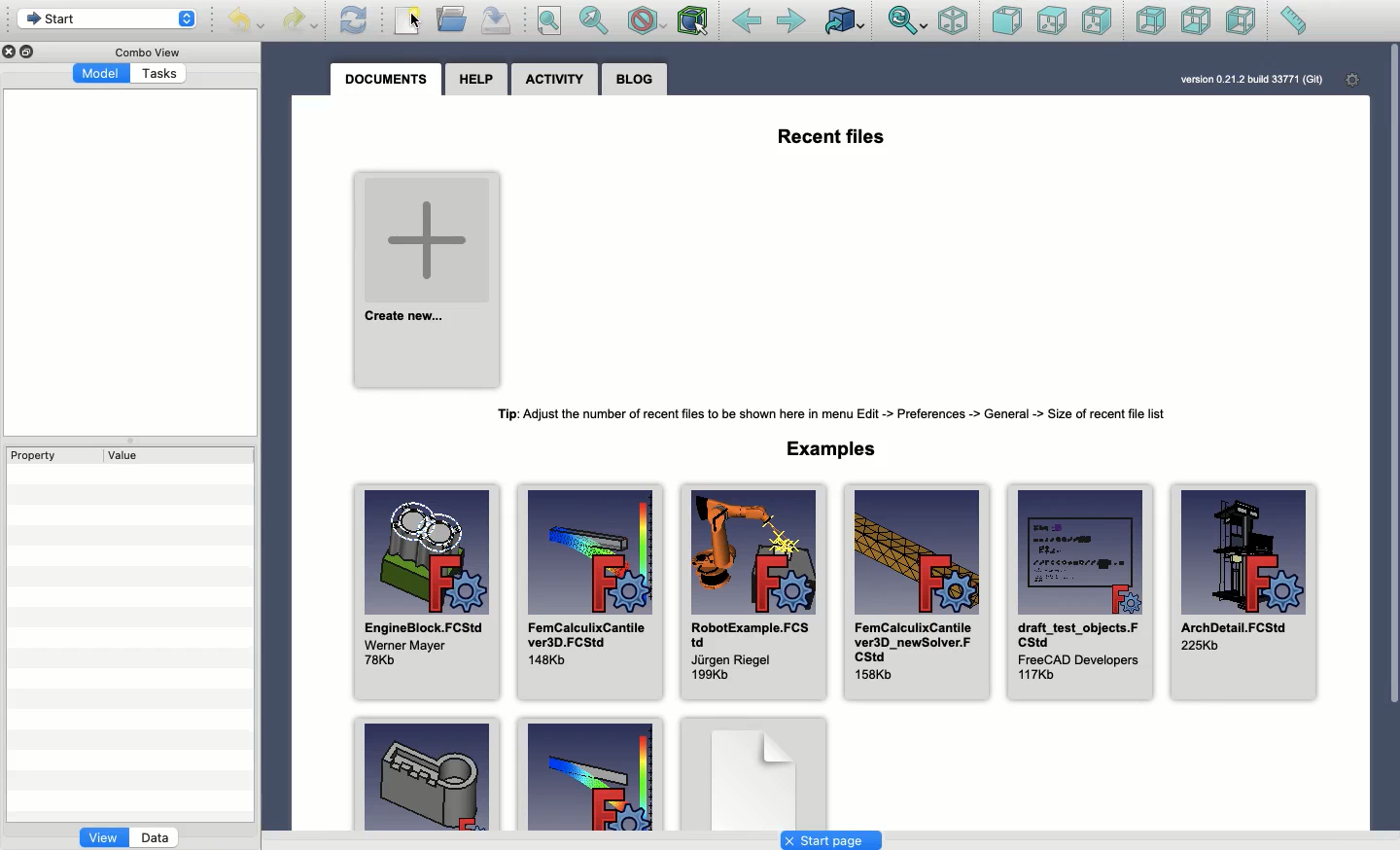 Image resolution: width=1400 pixels, height=850 pixels. What do you see at coordinates (1251, 78) in the screenshot?
I see `Version` at bounding box center [1251, 78].